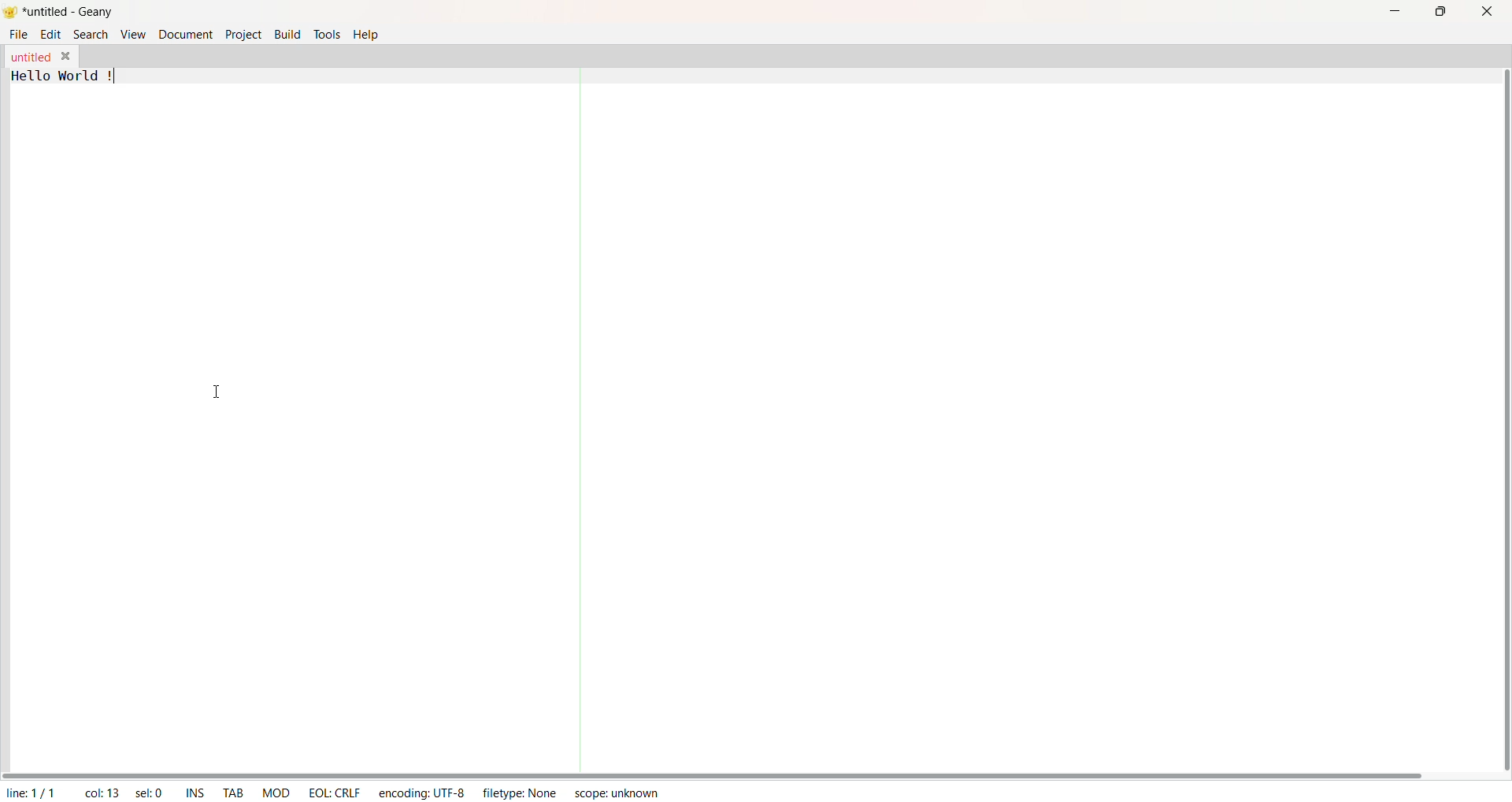 The height and width of the screenshot is (802, 1512). What do you see at coordinates (287, 33) in the screenshot?
I see `Build` at bounding box center [287, 33].